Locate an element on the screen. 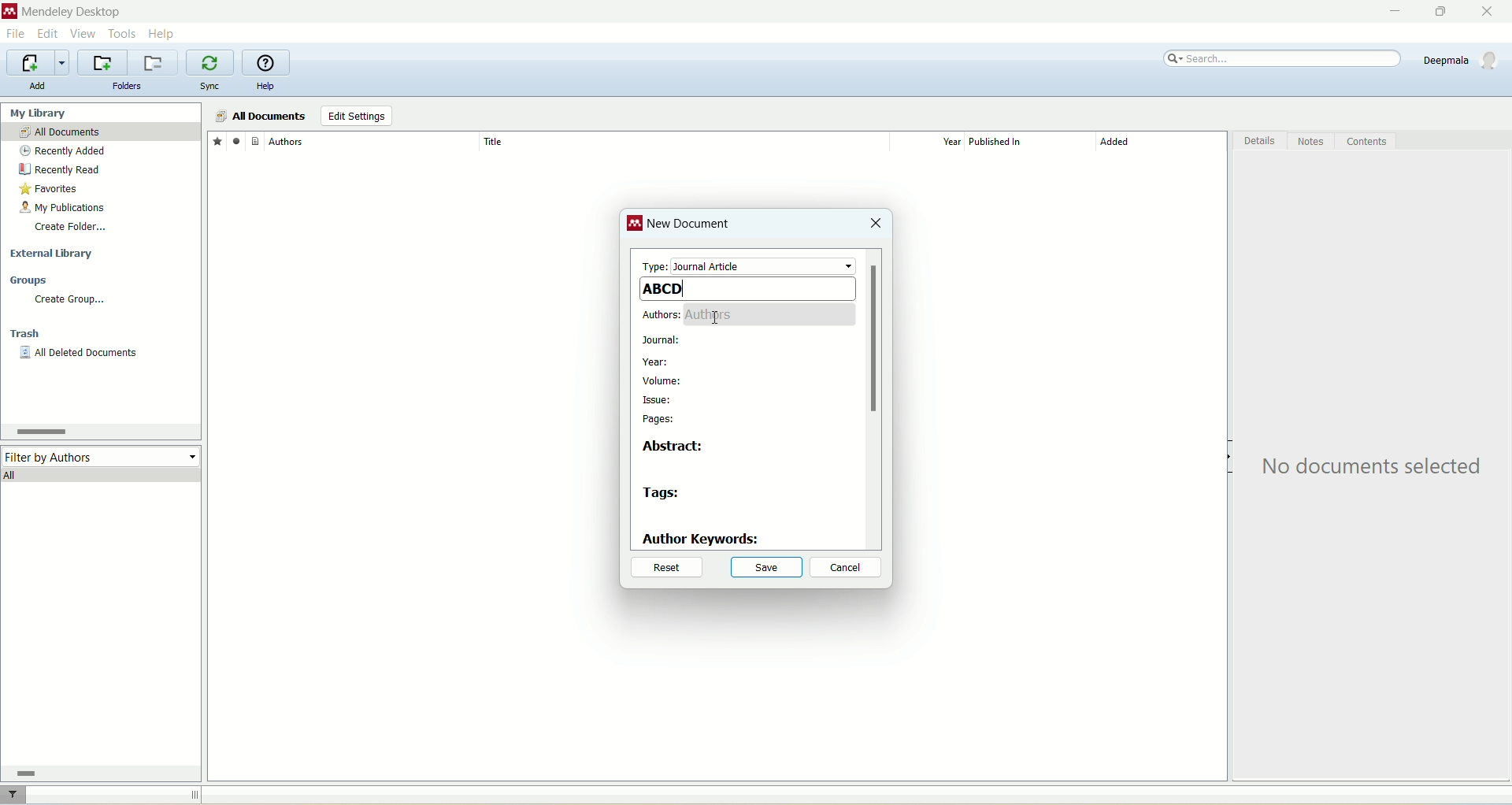 The width and height of the screenshot is (1512, 805). minimize is located at coordinates (1392, 12).